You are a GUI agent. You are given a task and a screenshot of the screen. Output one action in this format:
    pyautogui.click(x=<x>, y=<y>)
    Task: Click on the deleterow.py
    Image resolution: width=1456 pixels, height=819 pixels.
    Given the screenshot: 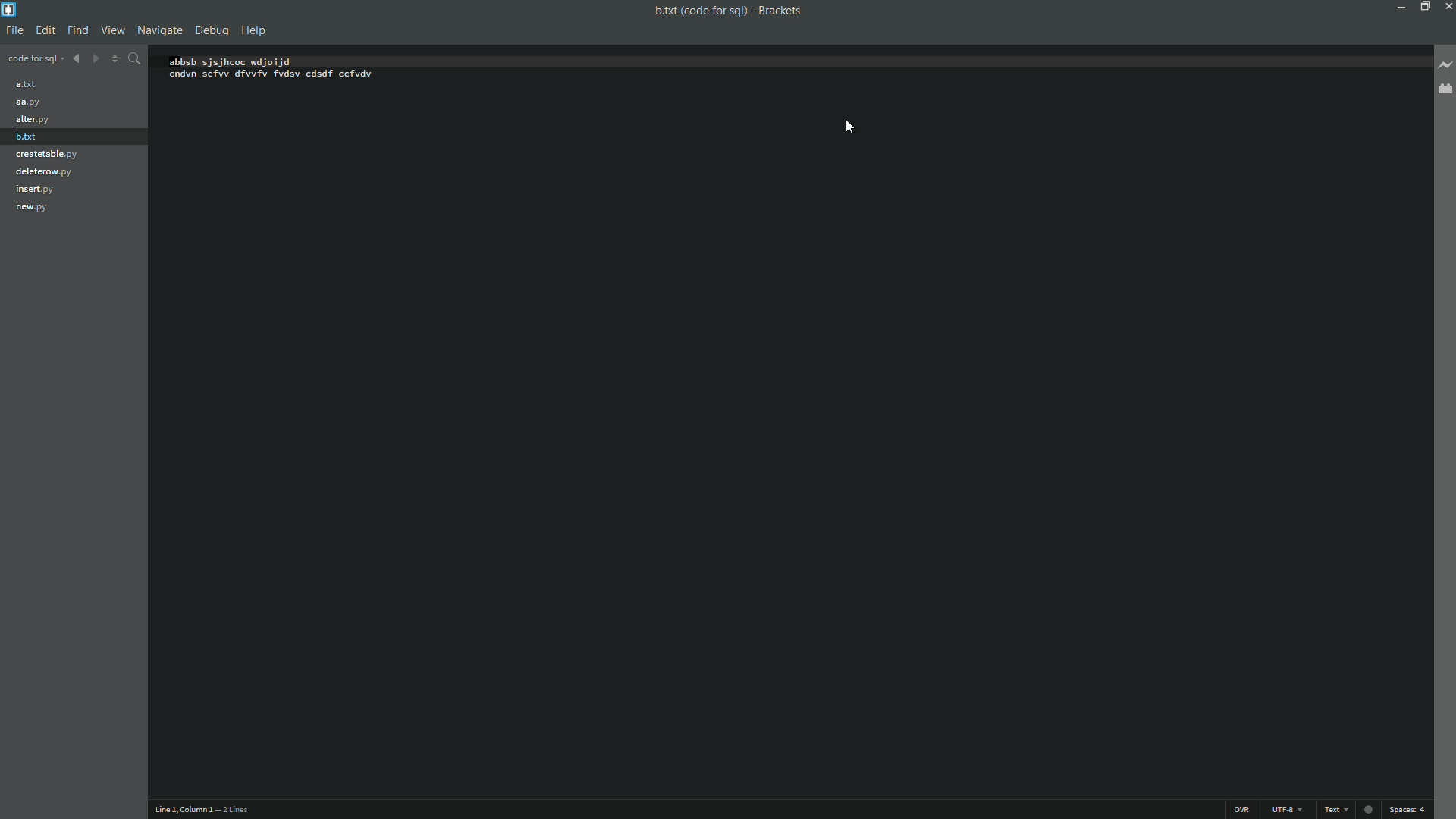 What is the action you would take?
    pyautogui.click(x=45, y=171)
    